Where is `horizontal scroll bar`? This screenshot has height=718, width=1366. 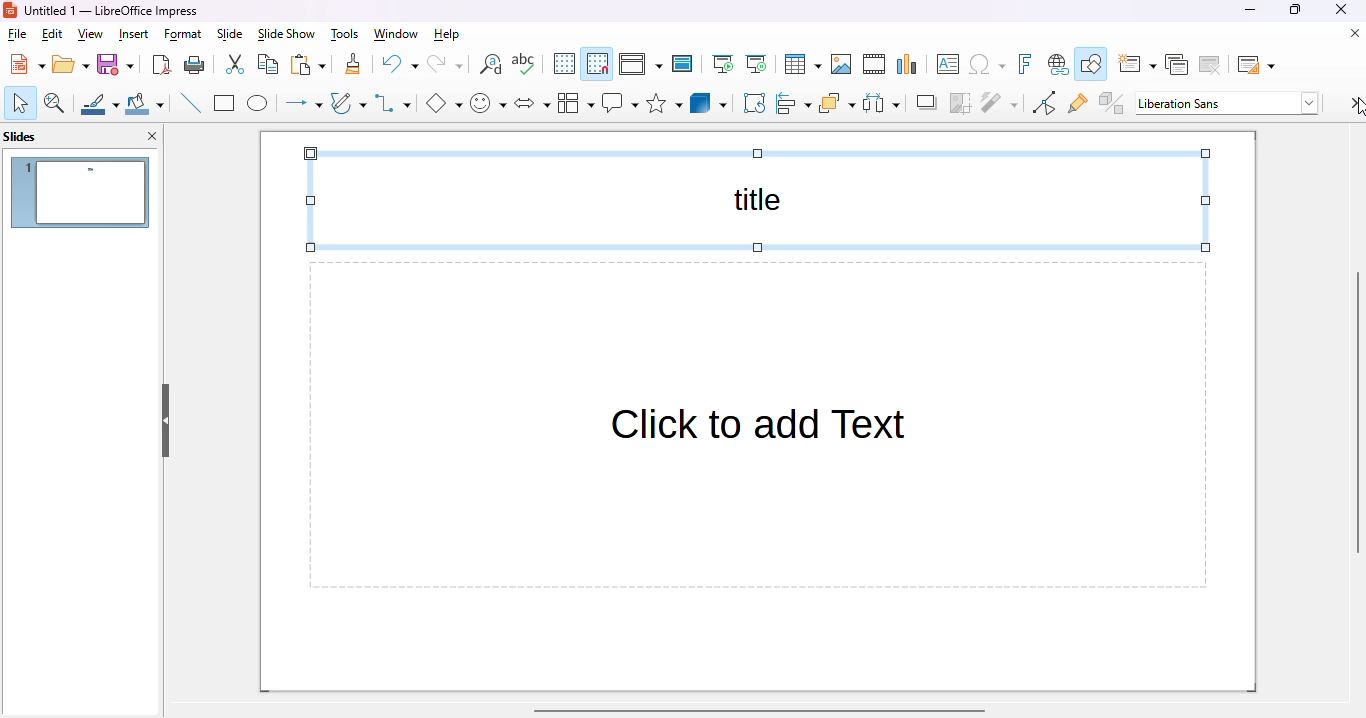
horizontal scroll bar is located at coordinates (762, 709).